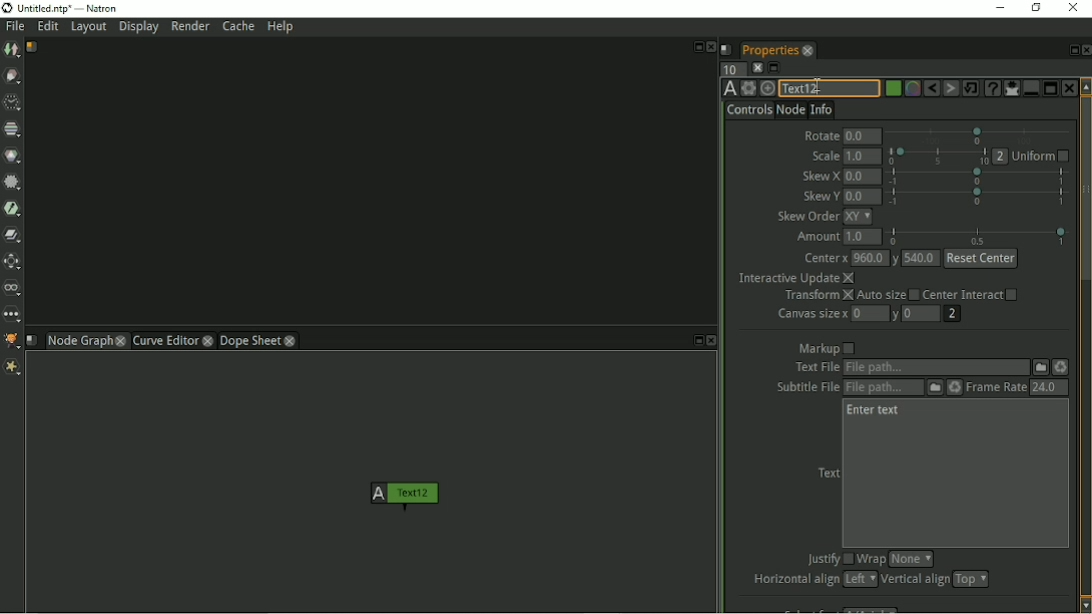 The height and width of the screenshot is (614, 1092). I want to click on Time, so click(12, 103).